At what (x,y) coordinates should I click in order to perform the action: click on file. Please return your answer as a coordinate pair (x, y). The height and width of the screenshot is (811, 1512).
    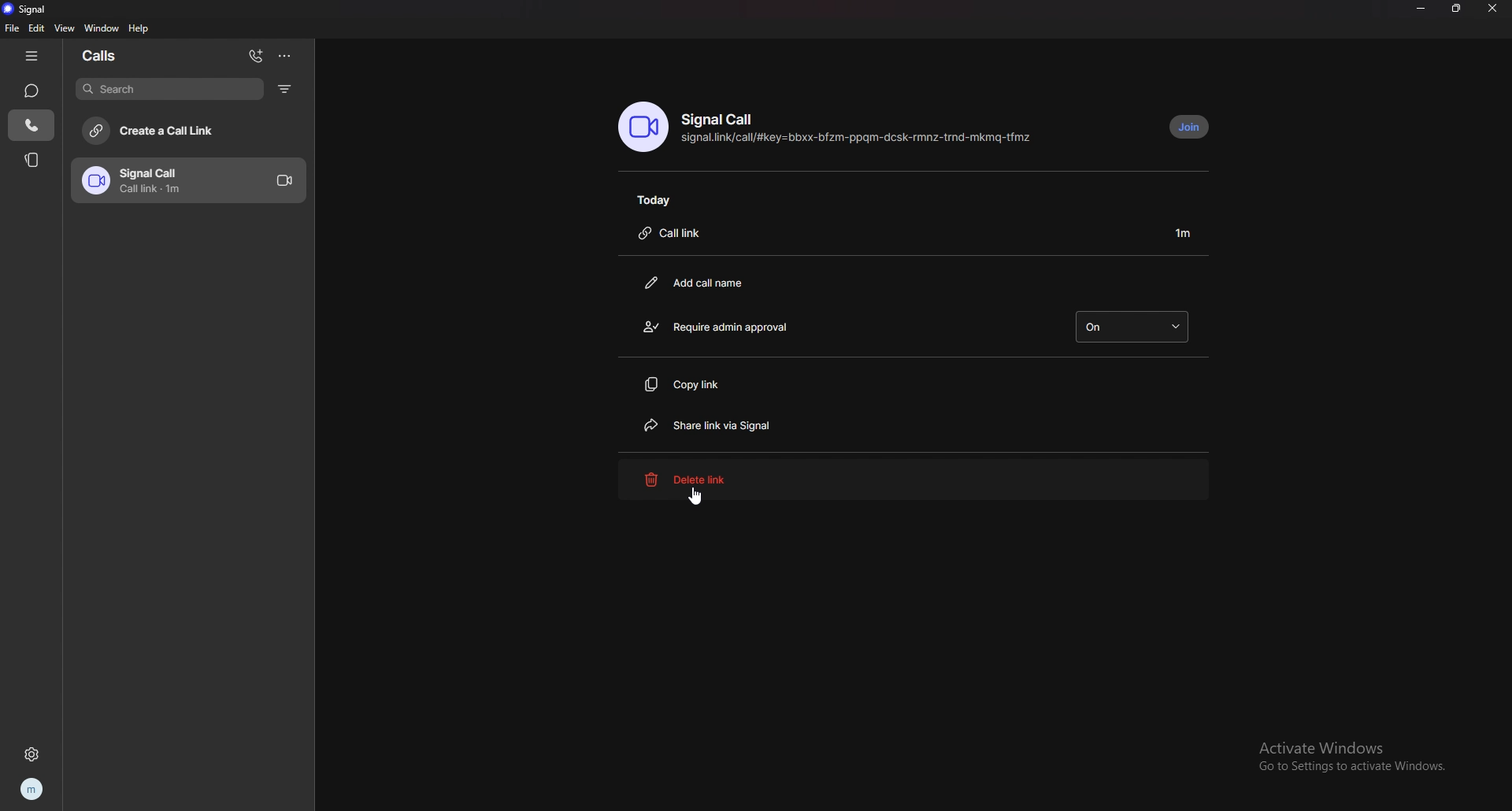
    Looking at the image, I should click on (10, 28).